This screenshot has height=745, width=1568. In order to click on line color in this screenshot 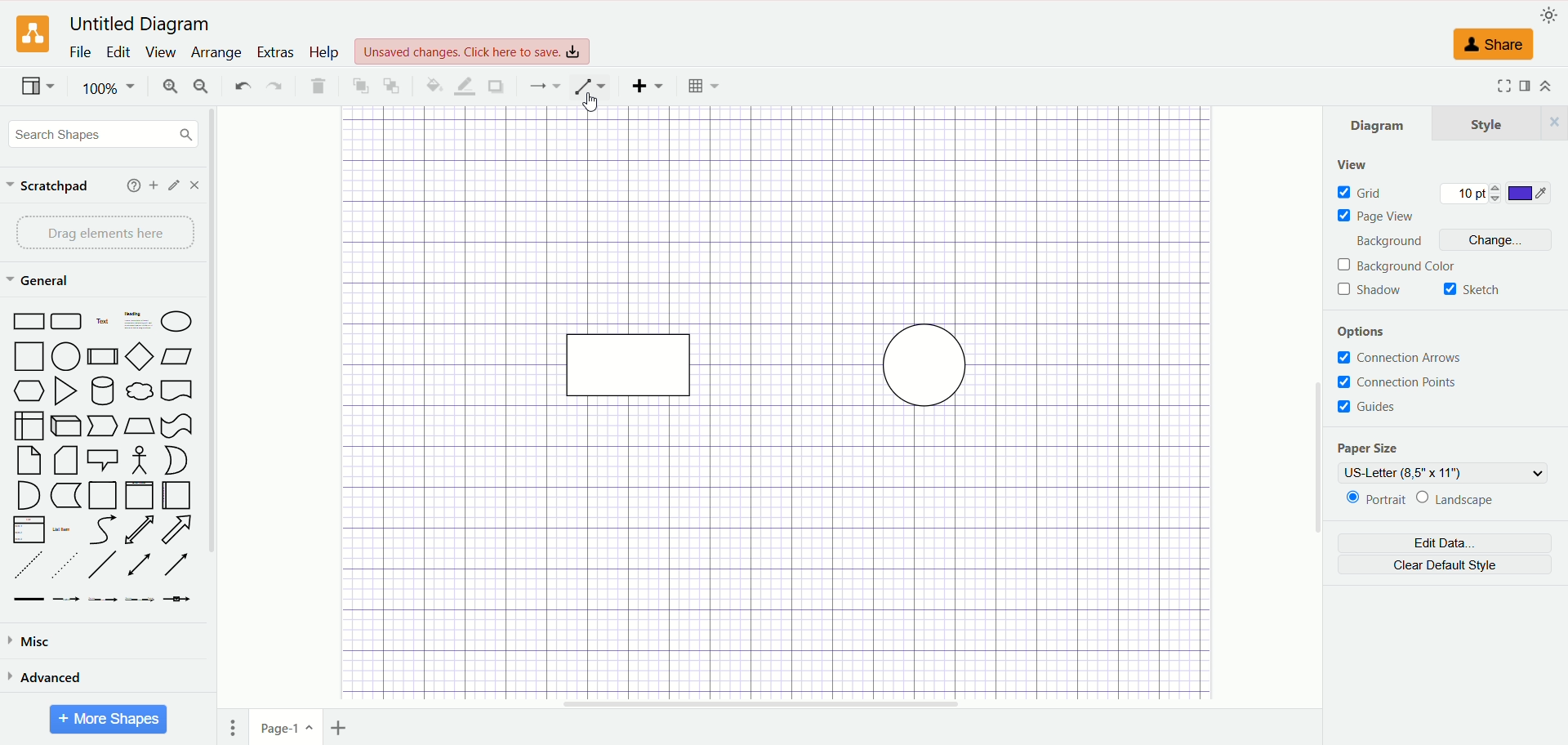, I will do `click(466, 87)`.